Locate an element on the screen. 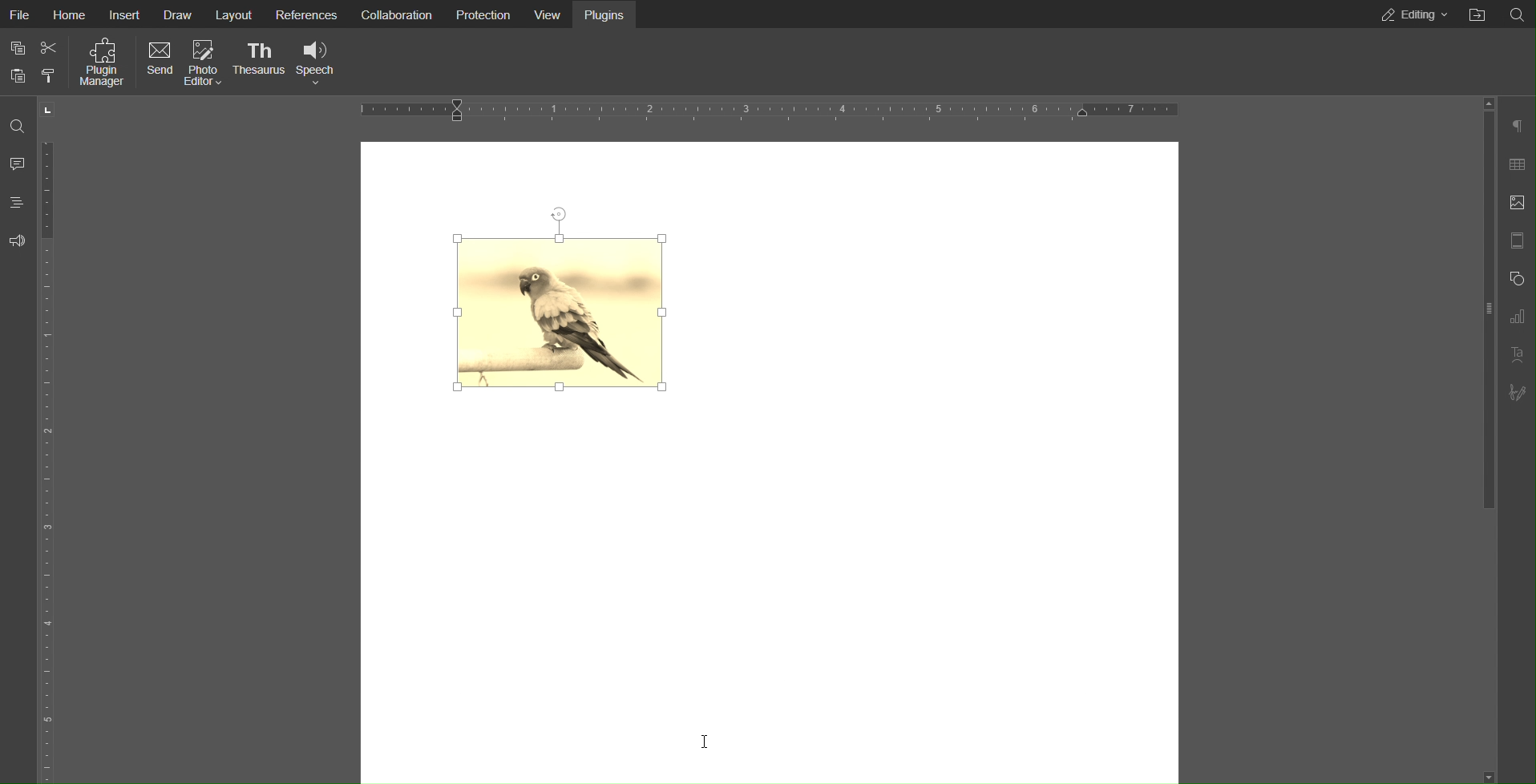 The height and width of the screenshot is (784, 1536). Thesaurus is located at coordinates (261, 62).